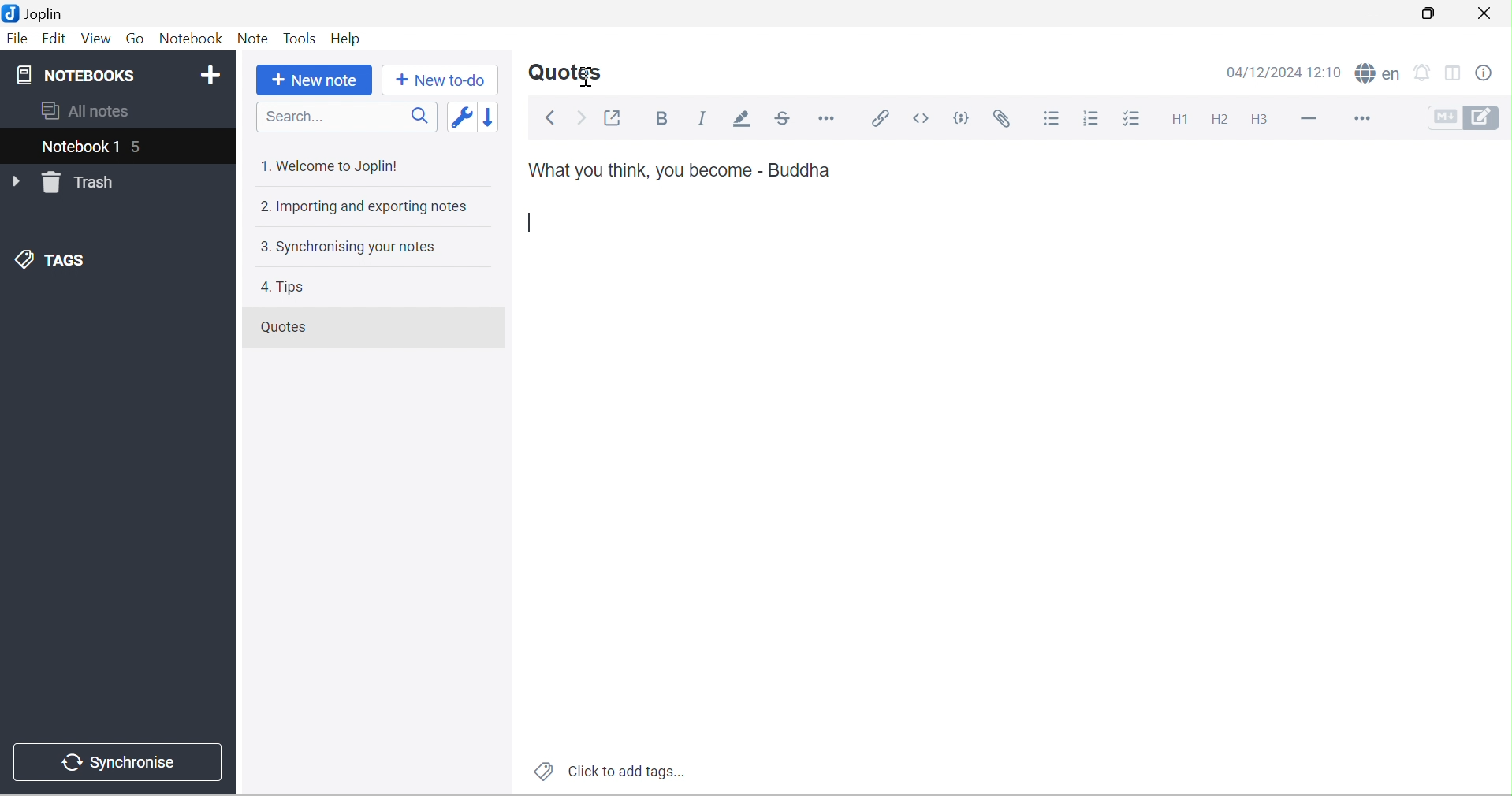  What do you see at coordinates (1487, 15) in the screenshot?
I see `Close` at bounding box center [1487, 15].